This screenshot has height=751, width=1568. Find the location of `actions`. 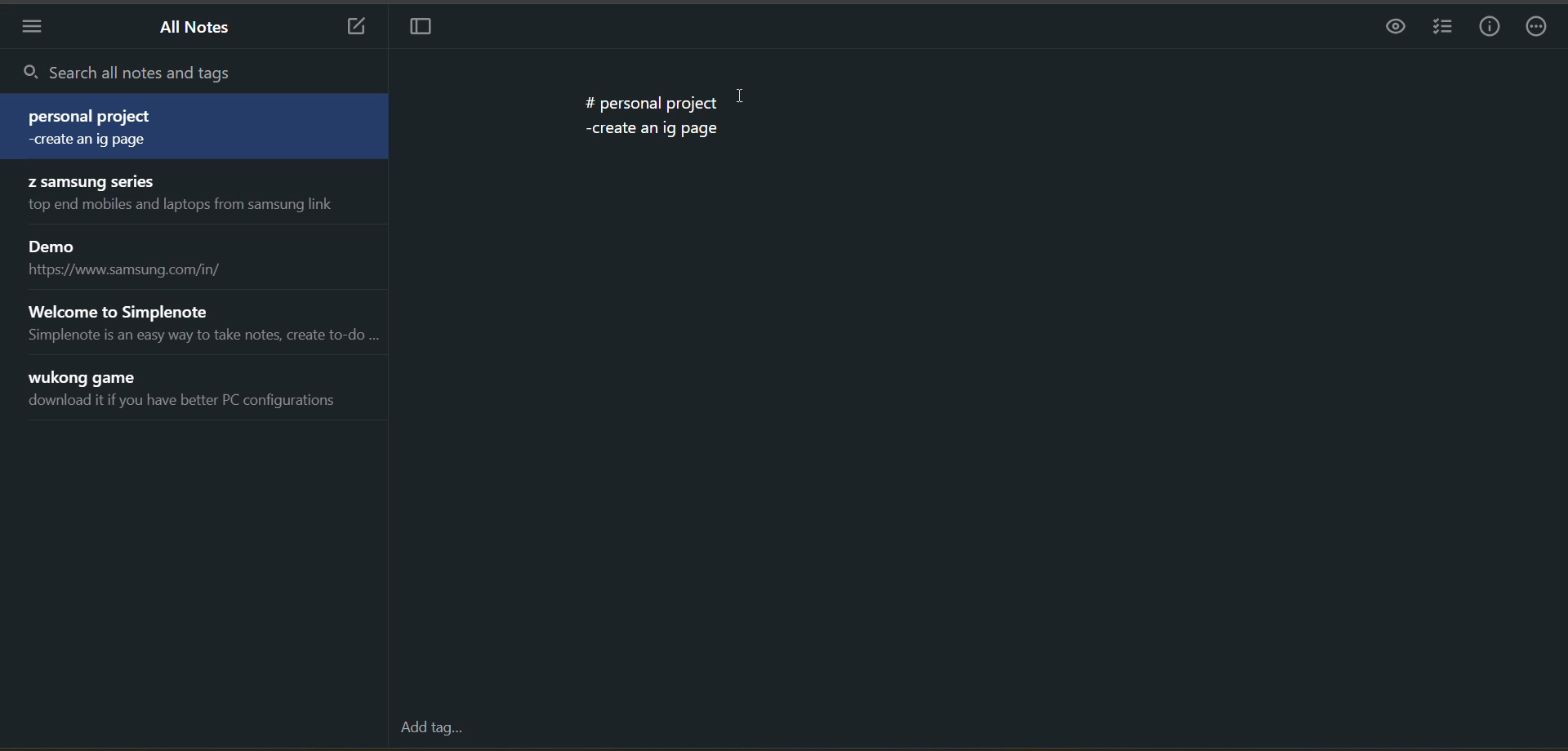

actions is located at coordinates (1539, 28).